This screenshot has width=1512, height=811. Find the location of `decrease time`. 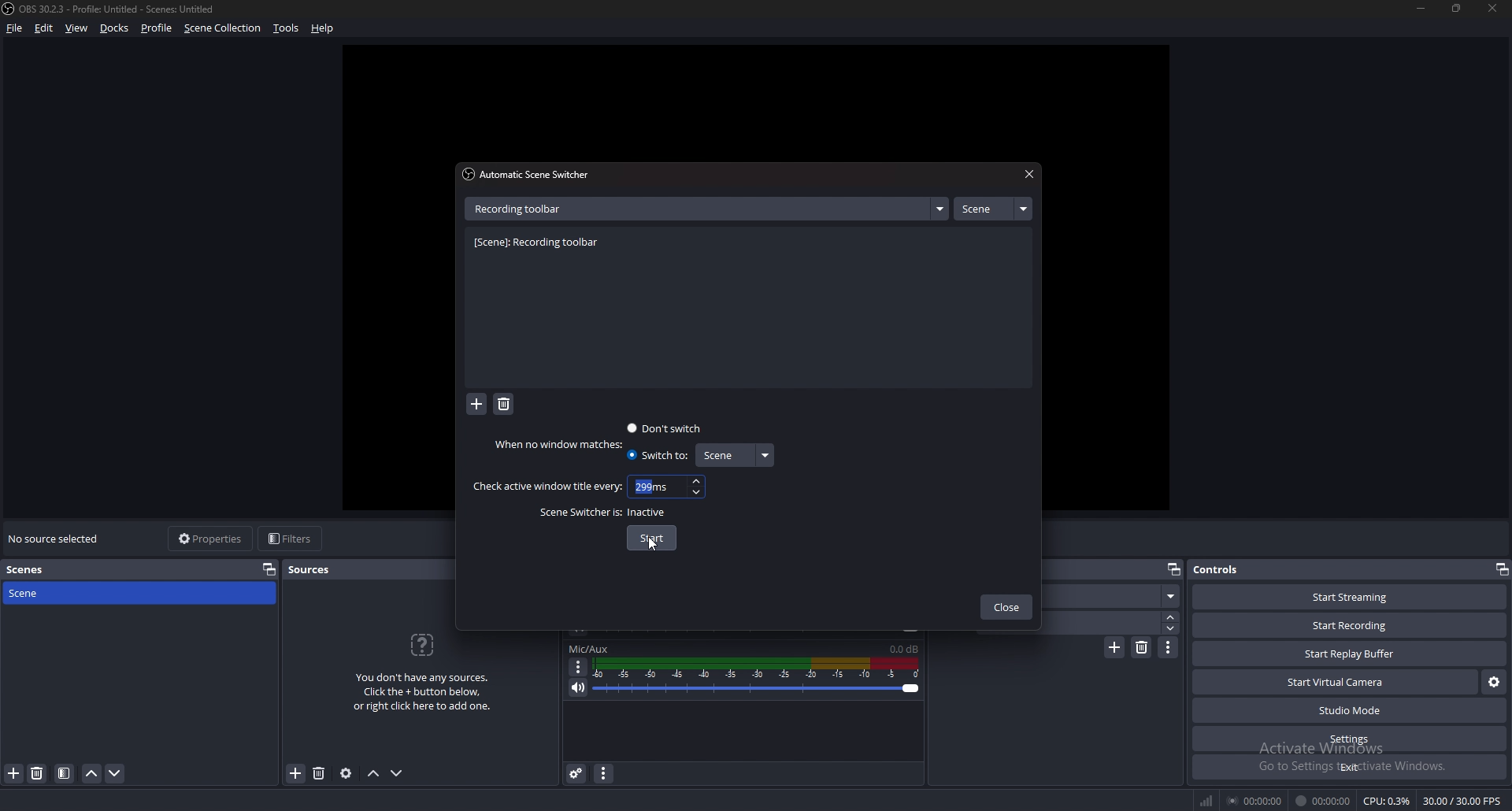

decrease time is located at coordinates (699, 491).